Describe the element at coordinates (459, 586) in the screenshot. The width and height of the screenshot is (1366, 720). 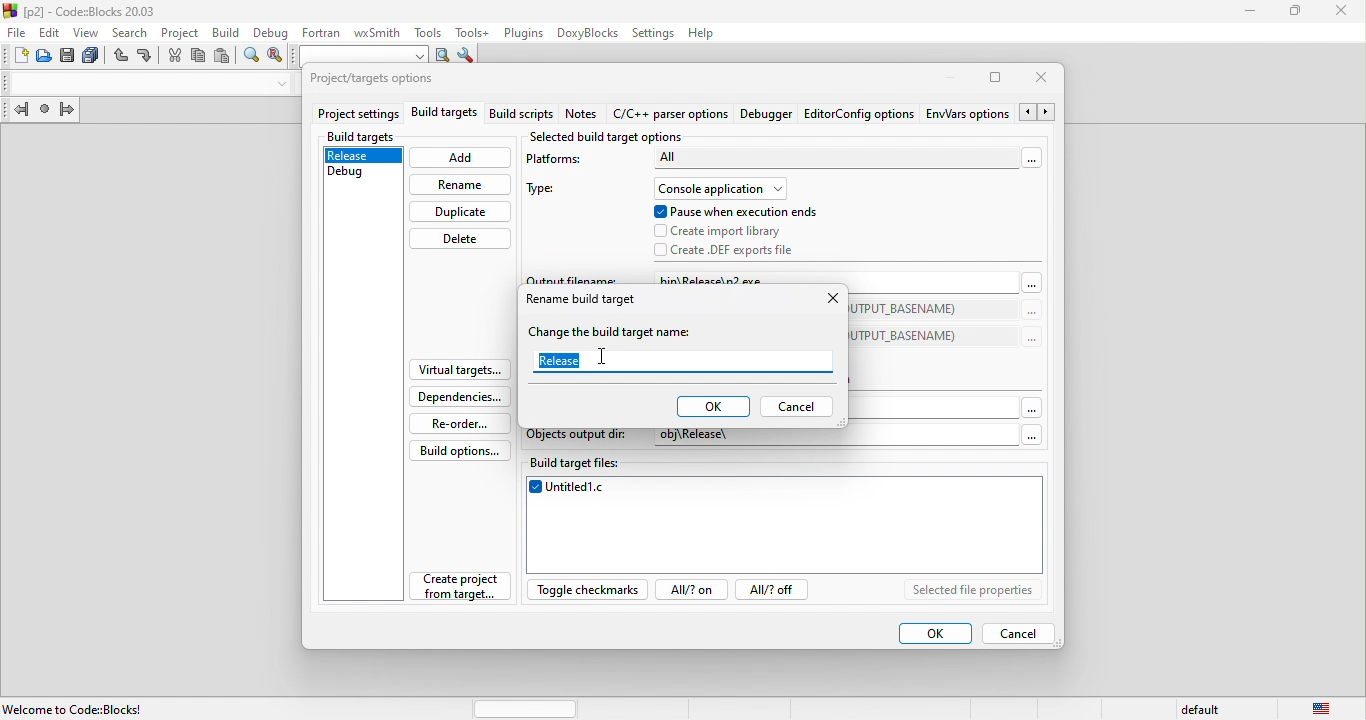
I see `create project from target` at that location.